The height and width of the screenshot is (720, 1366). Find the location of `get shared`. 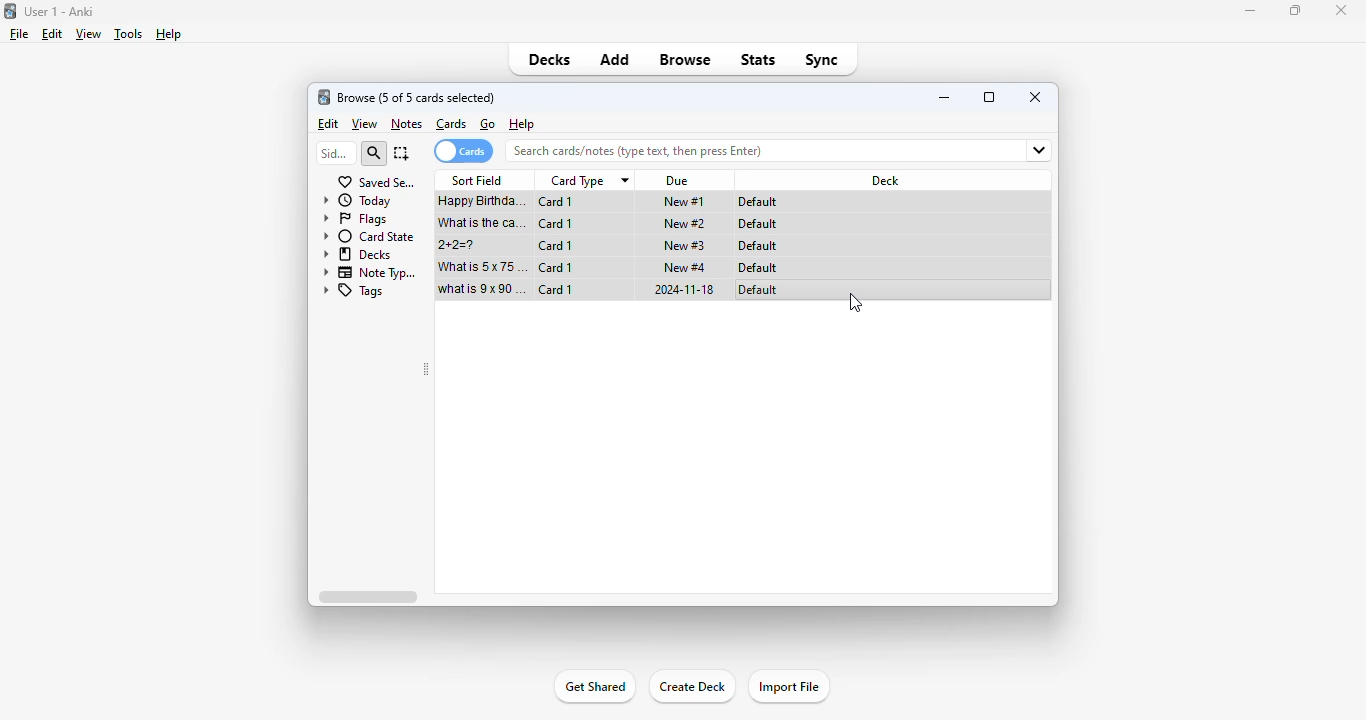

get shared is located at coordinates (596, 686).